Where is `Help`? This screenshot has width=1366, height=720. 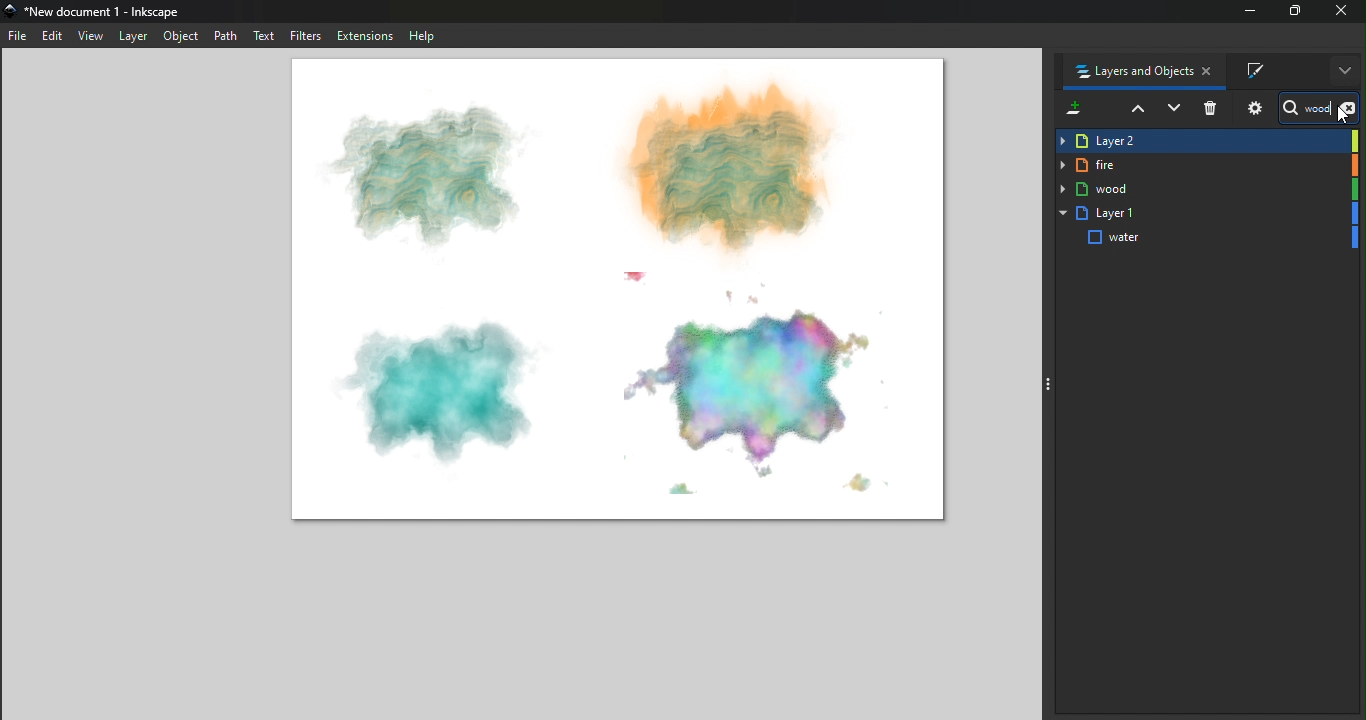 Help is located at coordinates (422, 35).